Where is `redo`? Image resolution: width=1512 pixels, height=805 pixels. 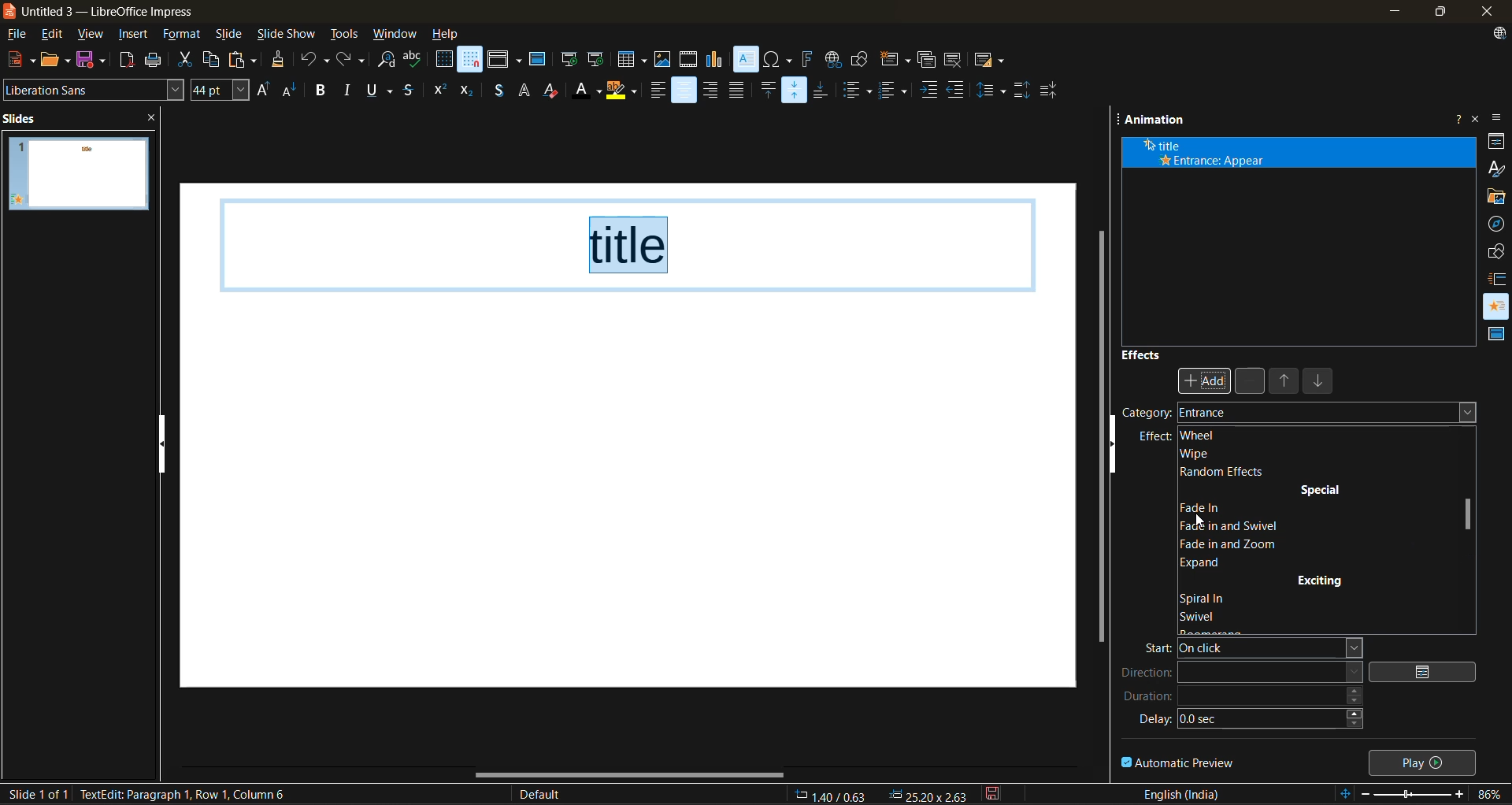 redo is located at coordinates (349, 59).